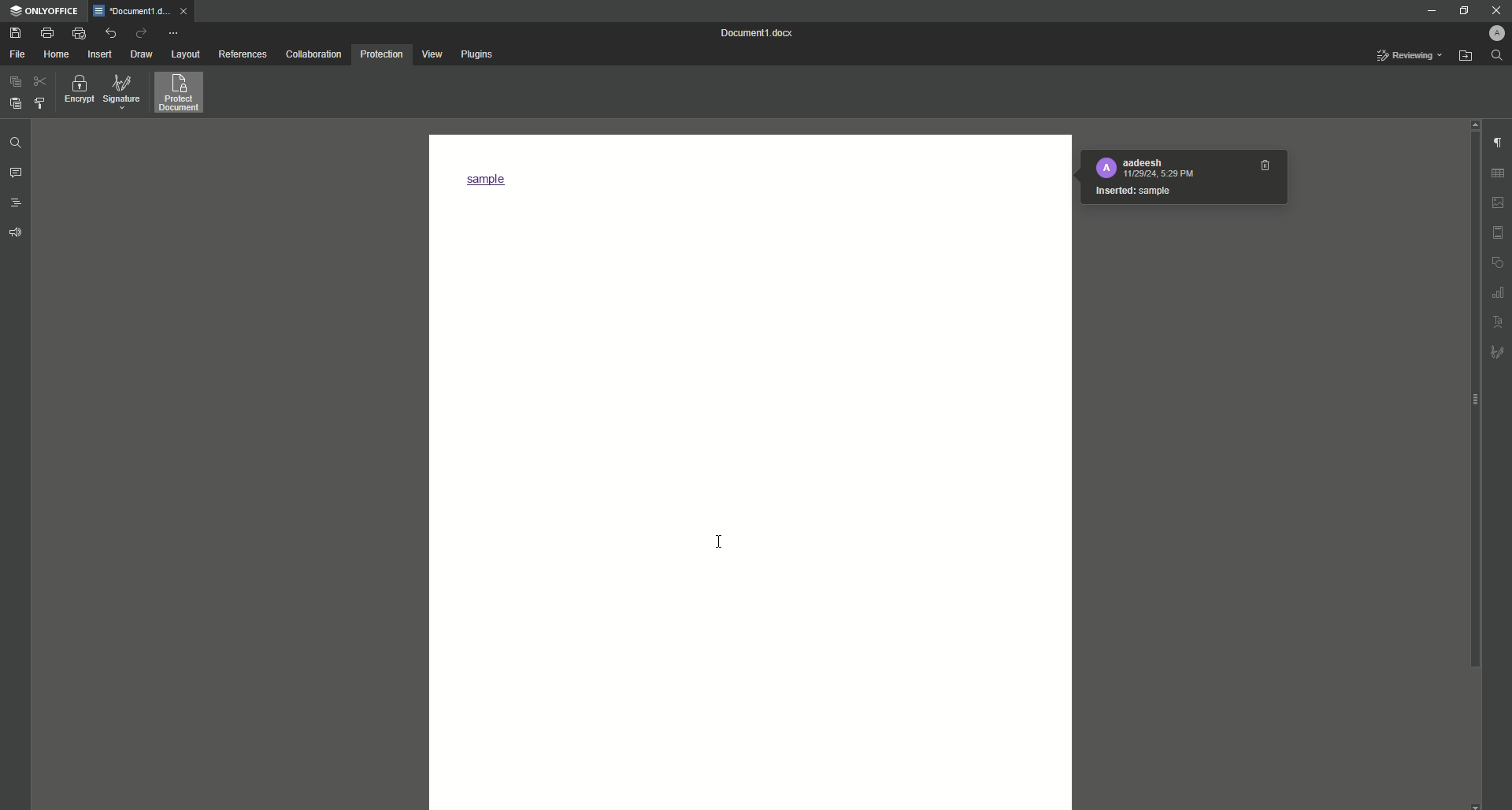  I want to click on Table Settings, so click(1499, 173).